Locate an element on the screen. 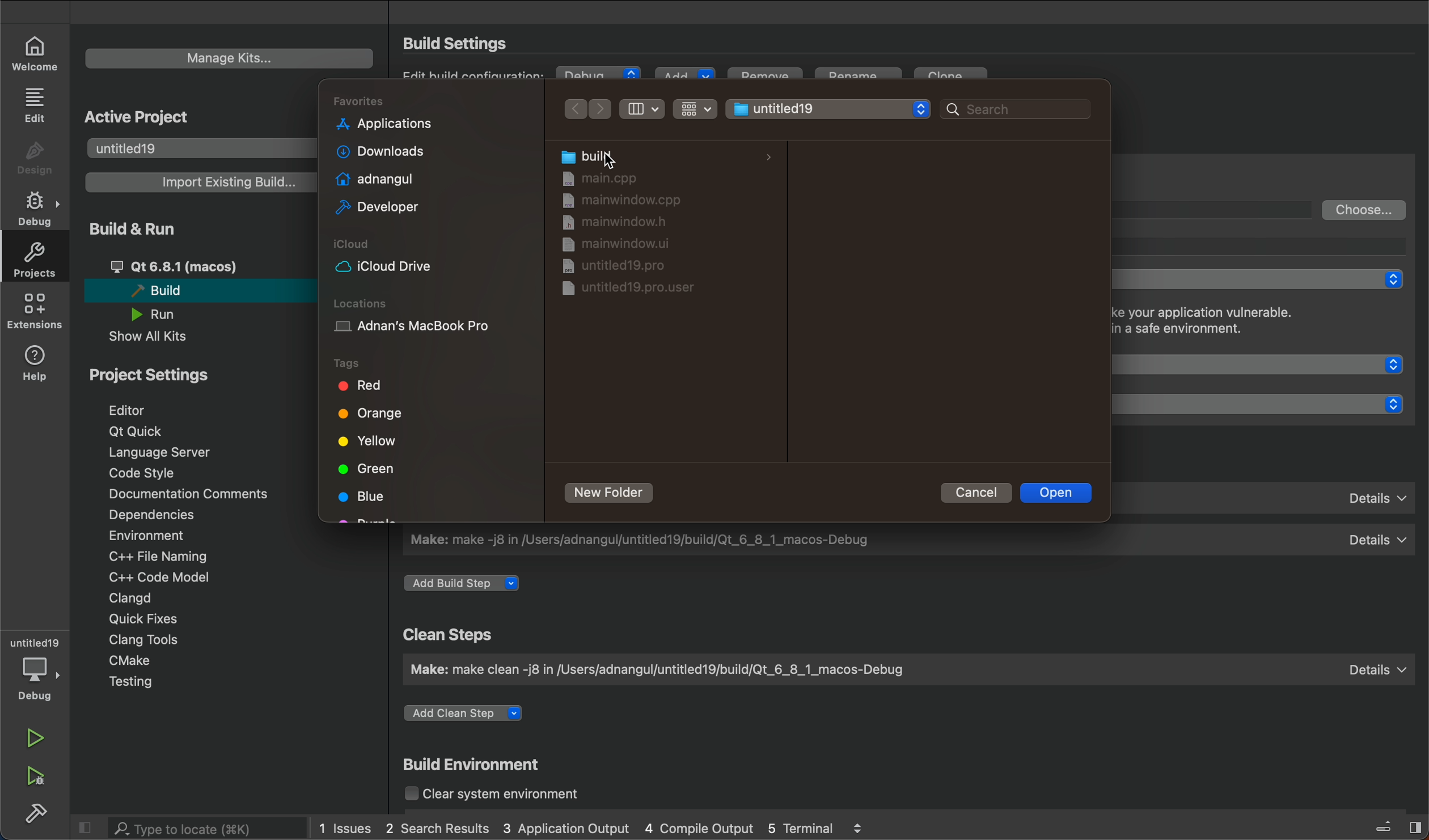 The width and height of the screenshot is (1429, 840). search is located at coordinates (1008, 108).